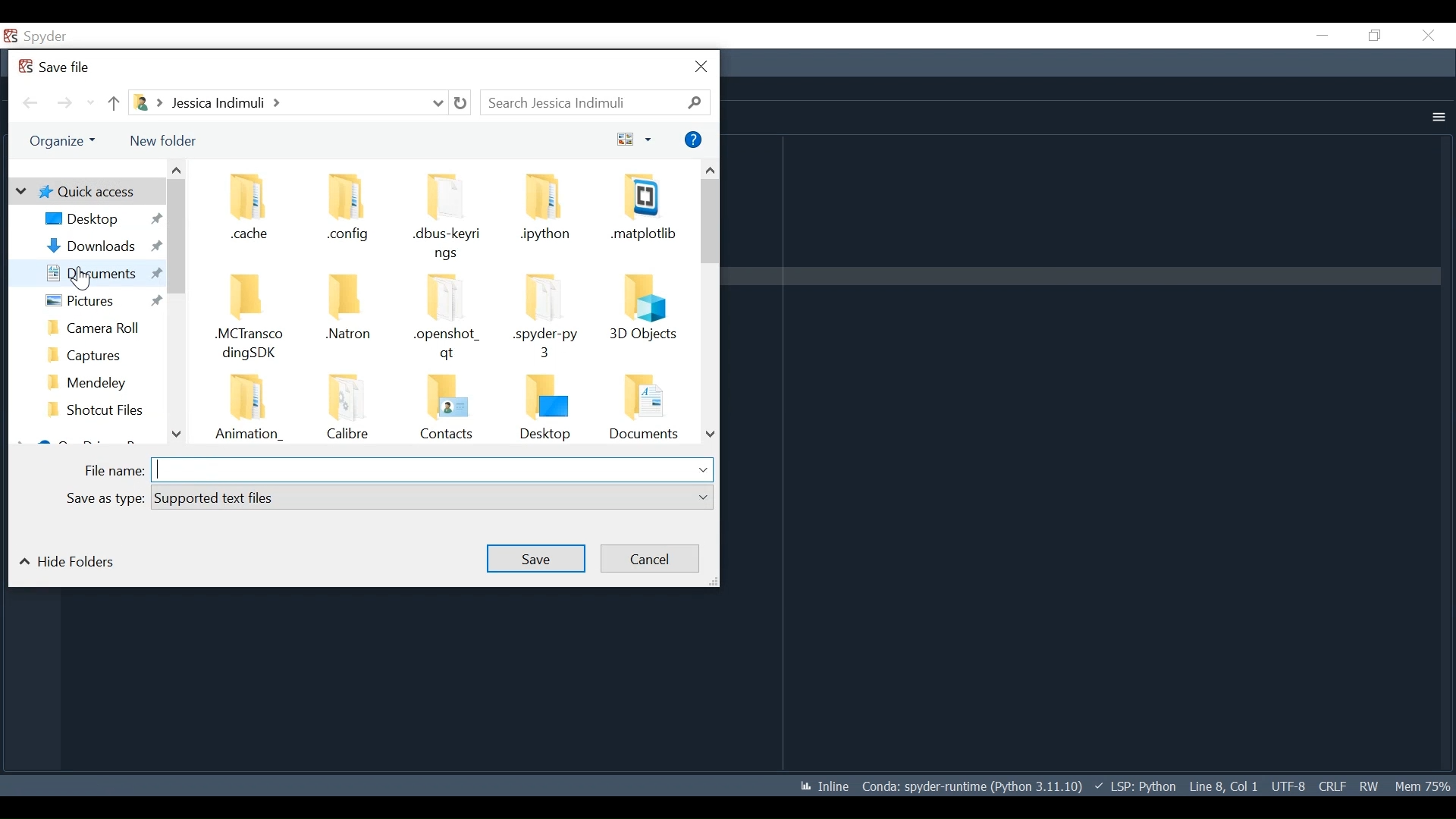 This screenshot has width=1456, height=819. What do you see at coordinates (644, 409) in the screenshot?
I see `Folder` at bounding box center [644, 409].